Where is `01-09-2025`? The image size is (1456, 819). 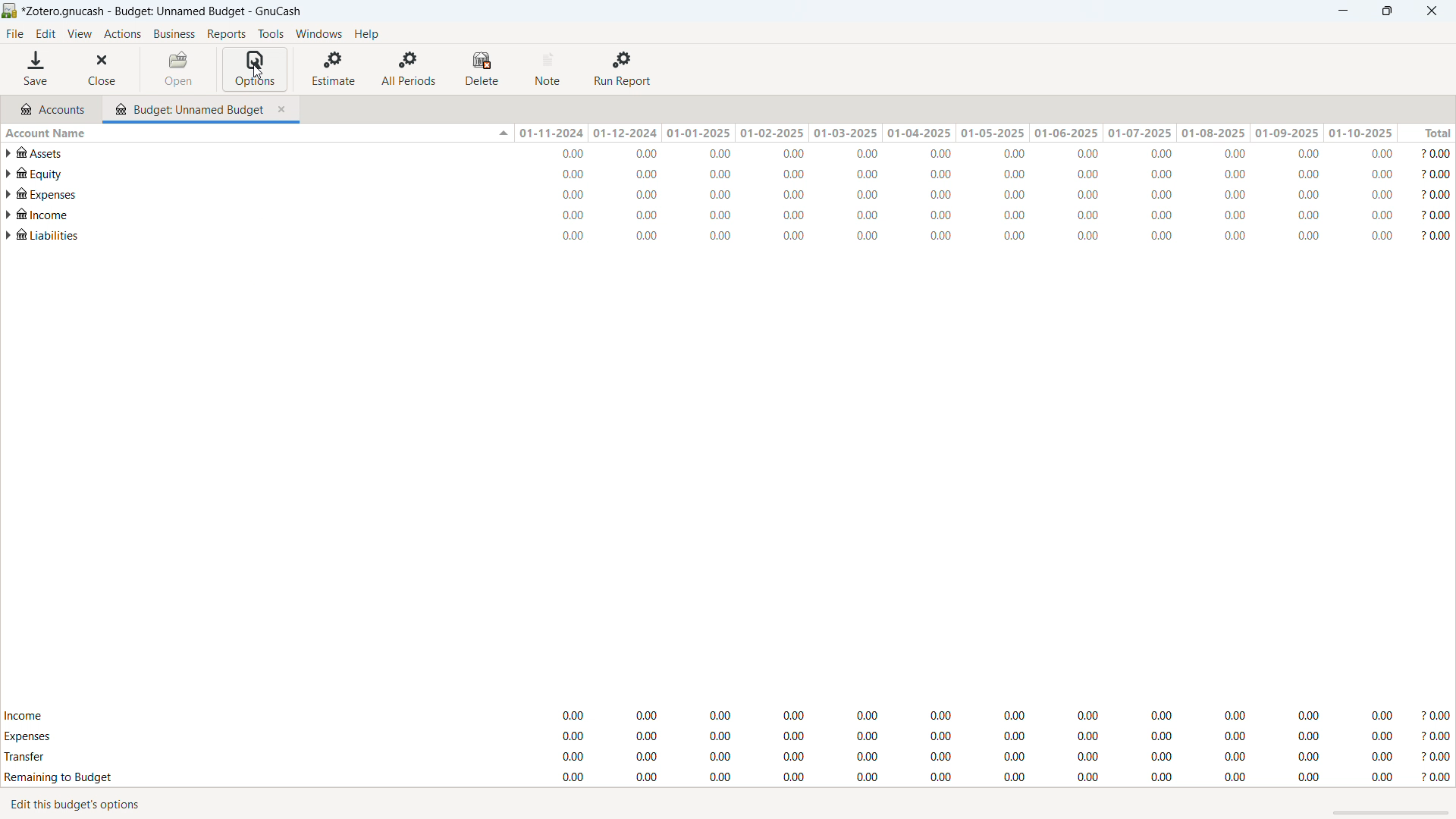 01-09-2025 is located at coordinates (1288, 133).